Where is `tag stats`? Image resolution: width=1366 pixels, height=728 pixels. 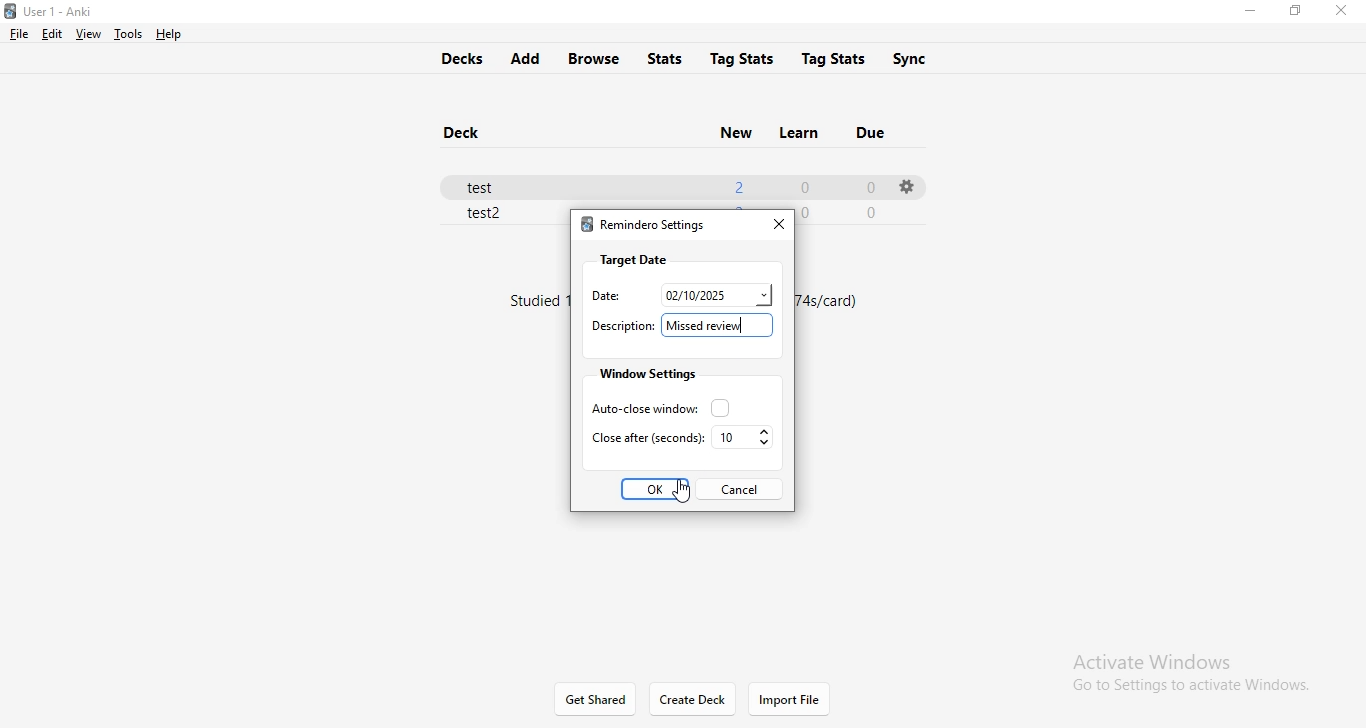 tag stats is located at coordinates (742, 57).